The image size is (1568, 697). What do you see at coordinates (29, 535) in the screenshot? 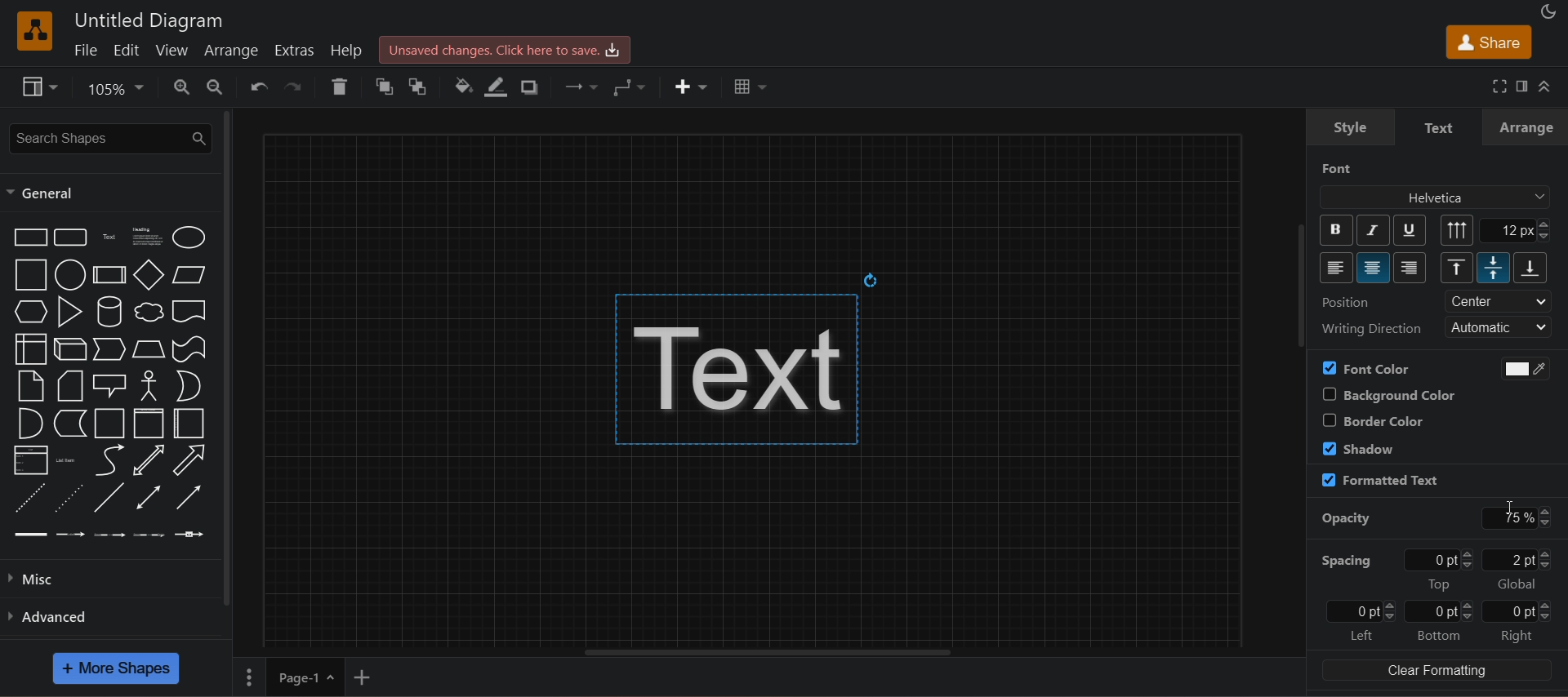
I see `link` at bounding box center [29, 535].